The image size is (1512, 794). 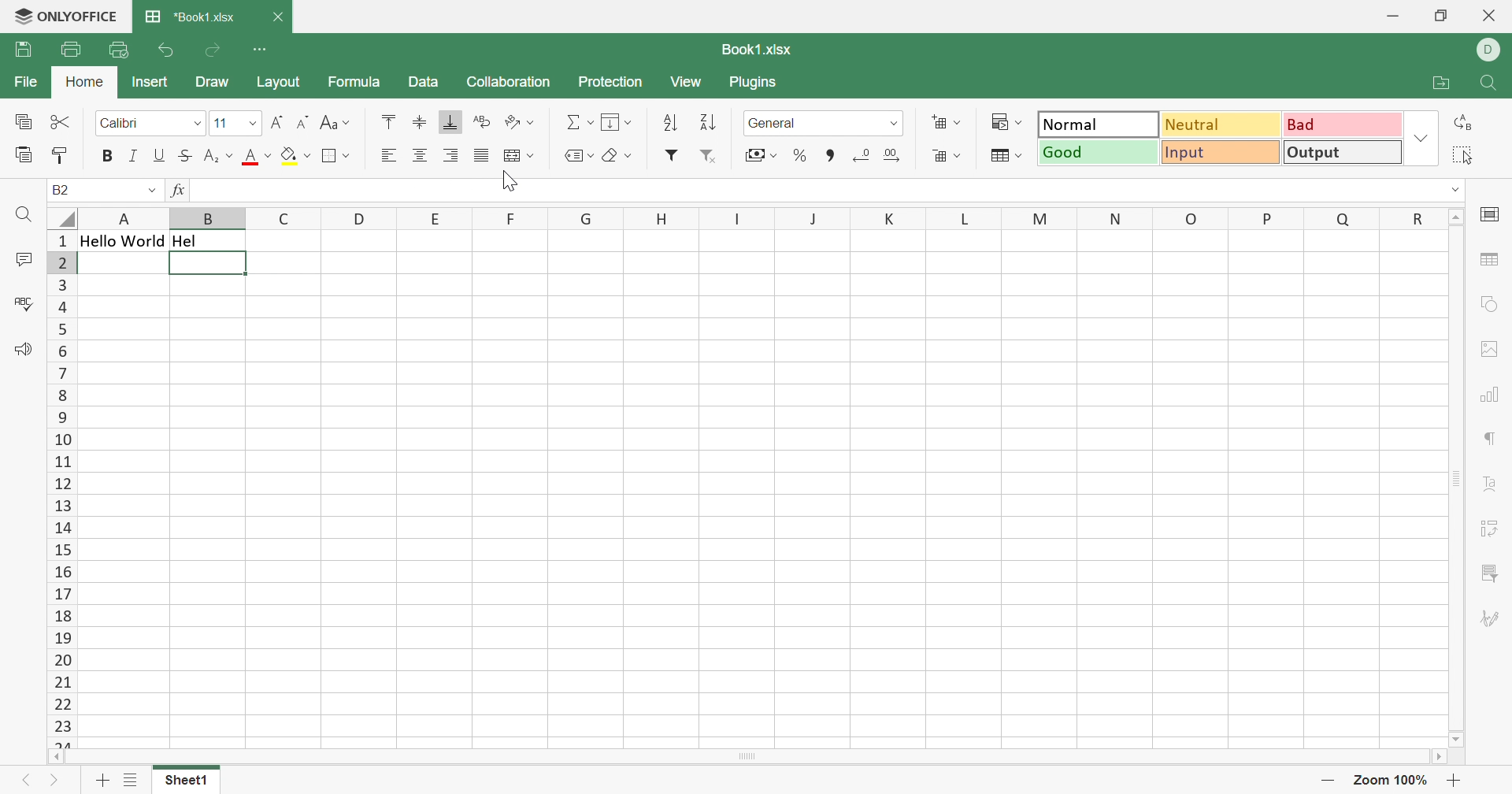 I want to click on Chart settings, so click(x=1488, y=398).